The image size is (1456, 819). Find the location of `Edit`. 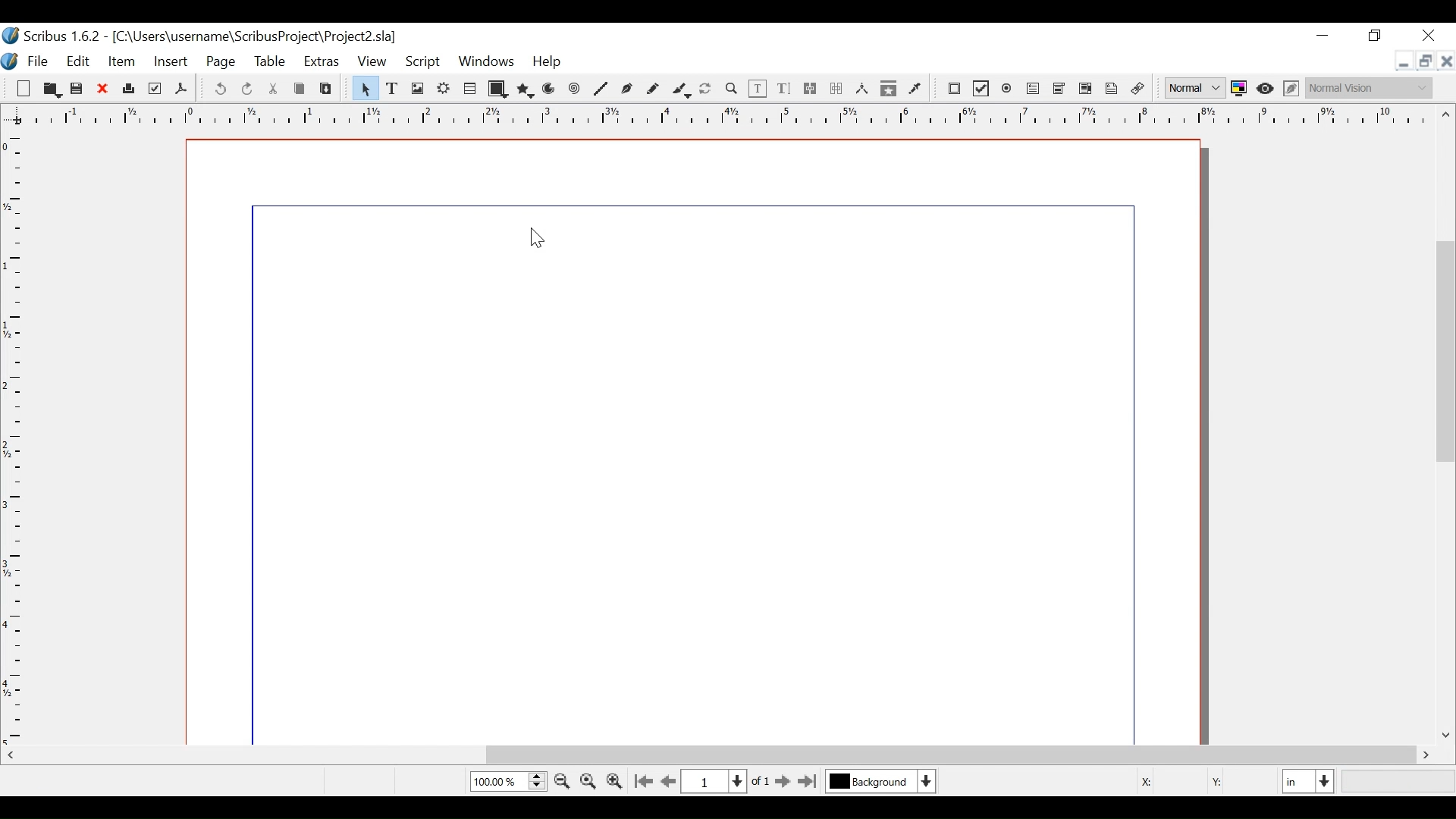

Edit is located at coordinates (74, 62).